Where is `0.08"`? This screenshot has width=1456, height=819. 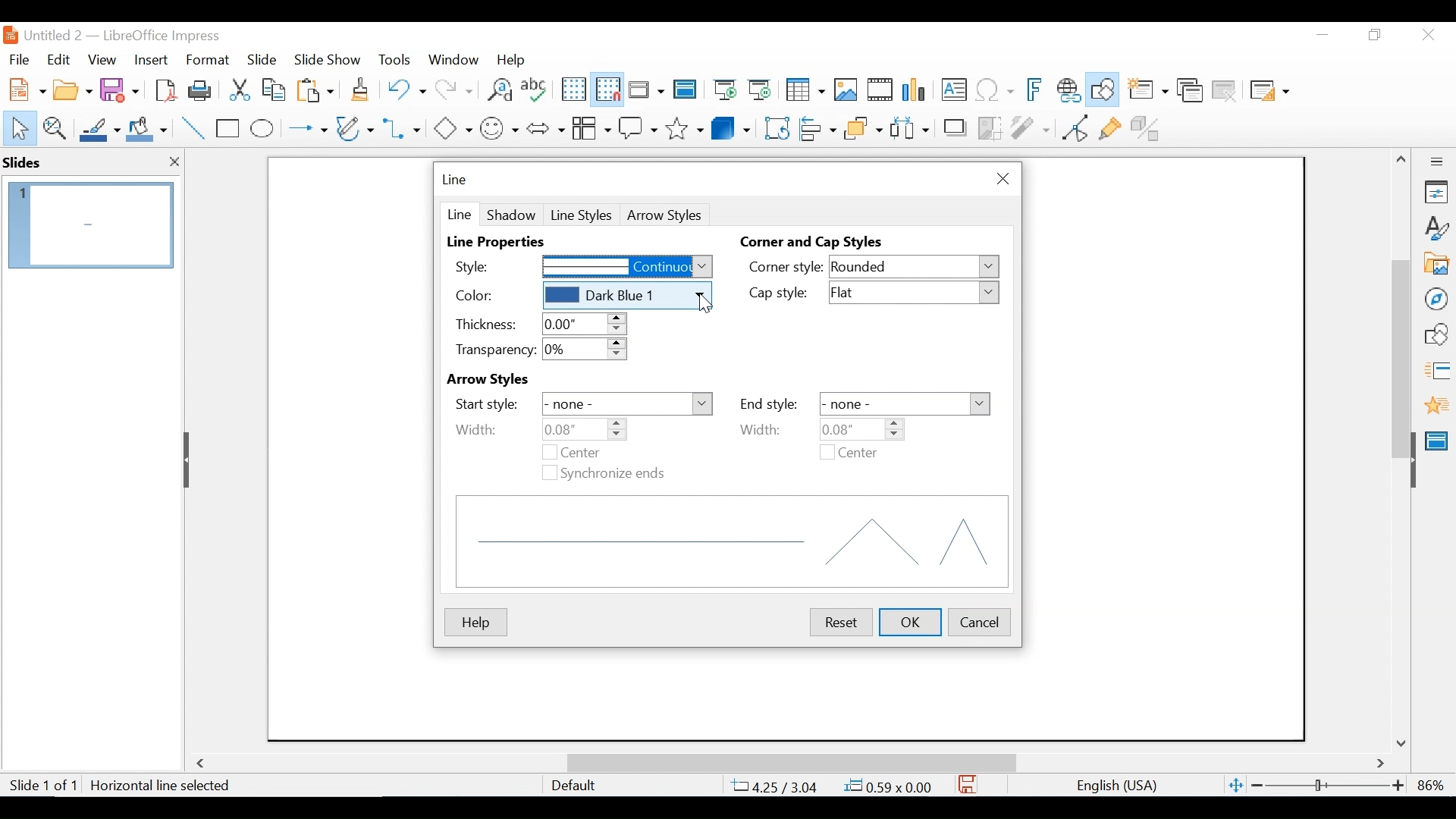
0.08" is located at coordinates (859, 428).